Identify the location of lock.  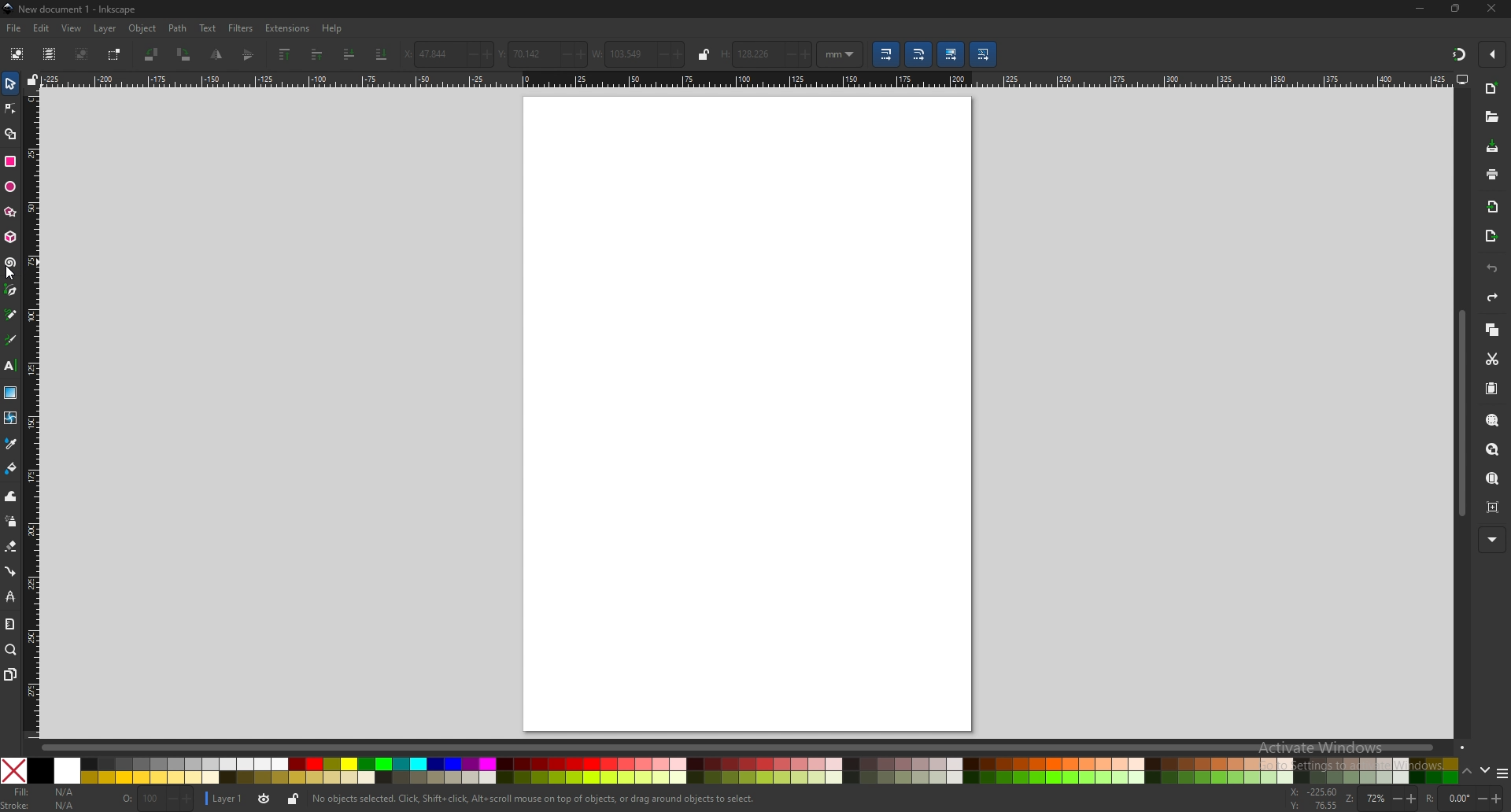
(703, 55).